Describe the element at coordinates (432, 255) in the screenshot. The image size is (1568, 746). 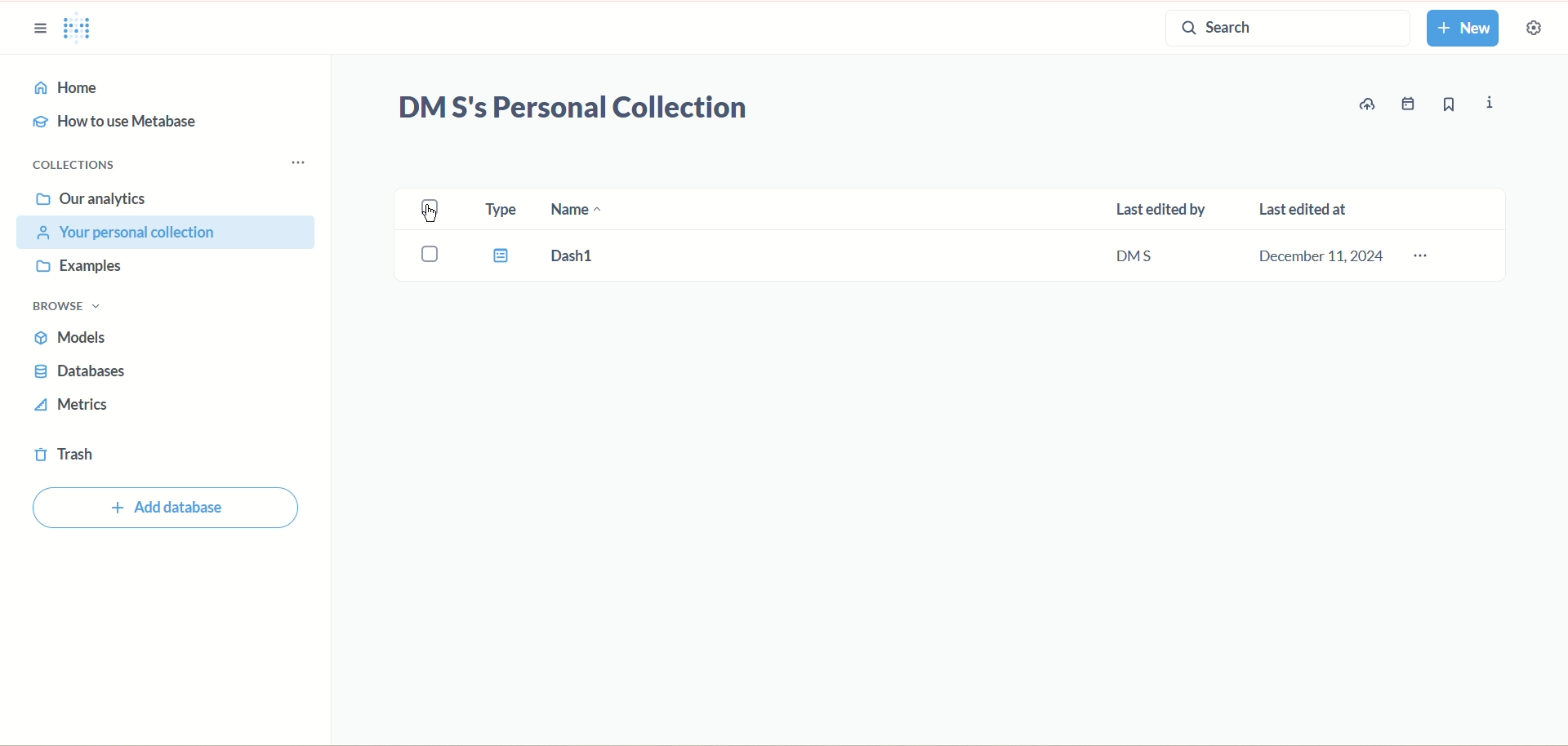
I see `Check box` at that location.